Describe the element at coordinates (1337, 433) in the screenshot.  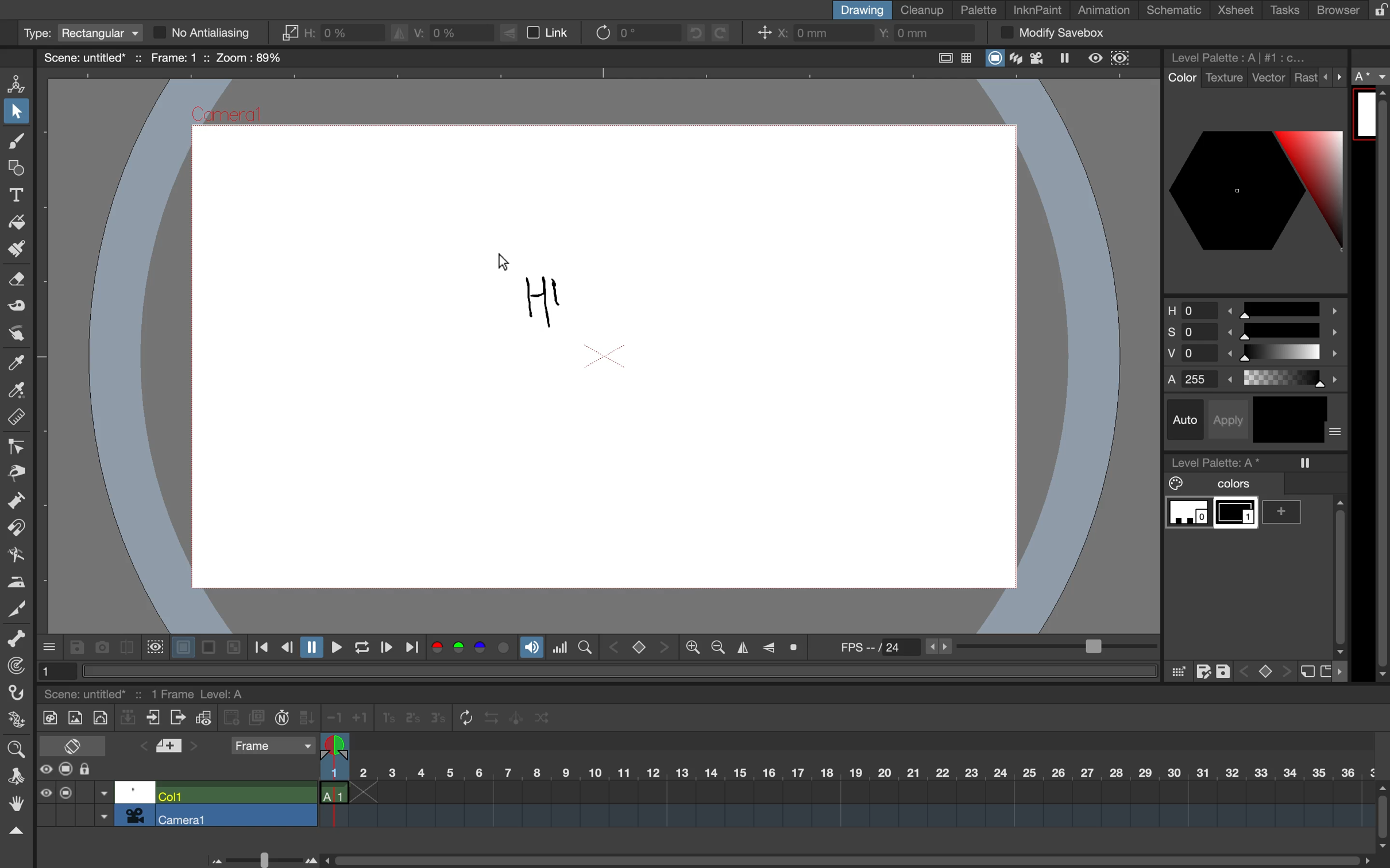
I see `more options` at that location.